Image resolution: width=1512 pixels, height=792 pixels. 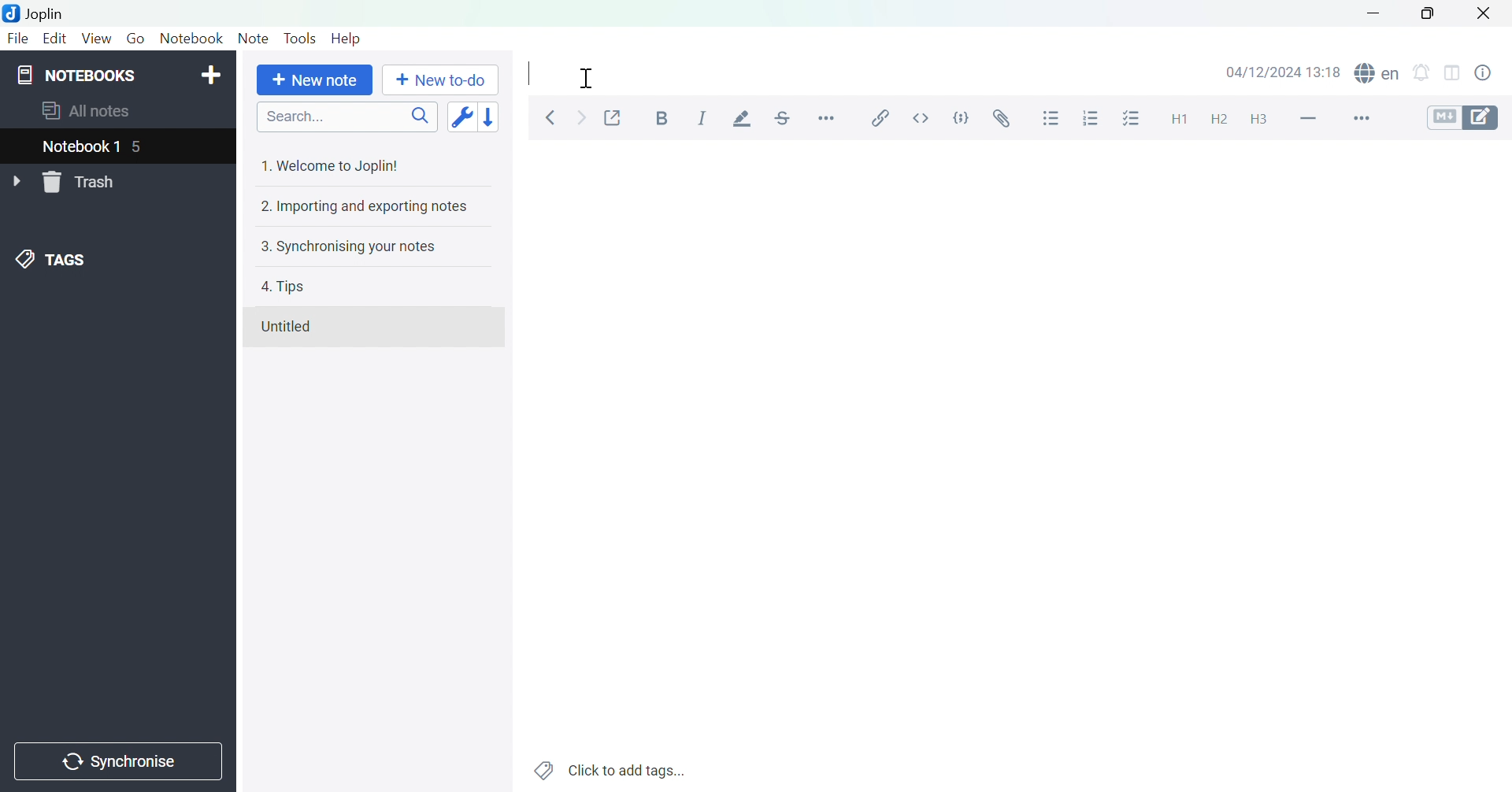 I want to click on spell checker, so click(x=1378, y=73).